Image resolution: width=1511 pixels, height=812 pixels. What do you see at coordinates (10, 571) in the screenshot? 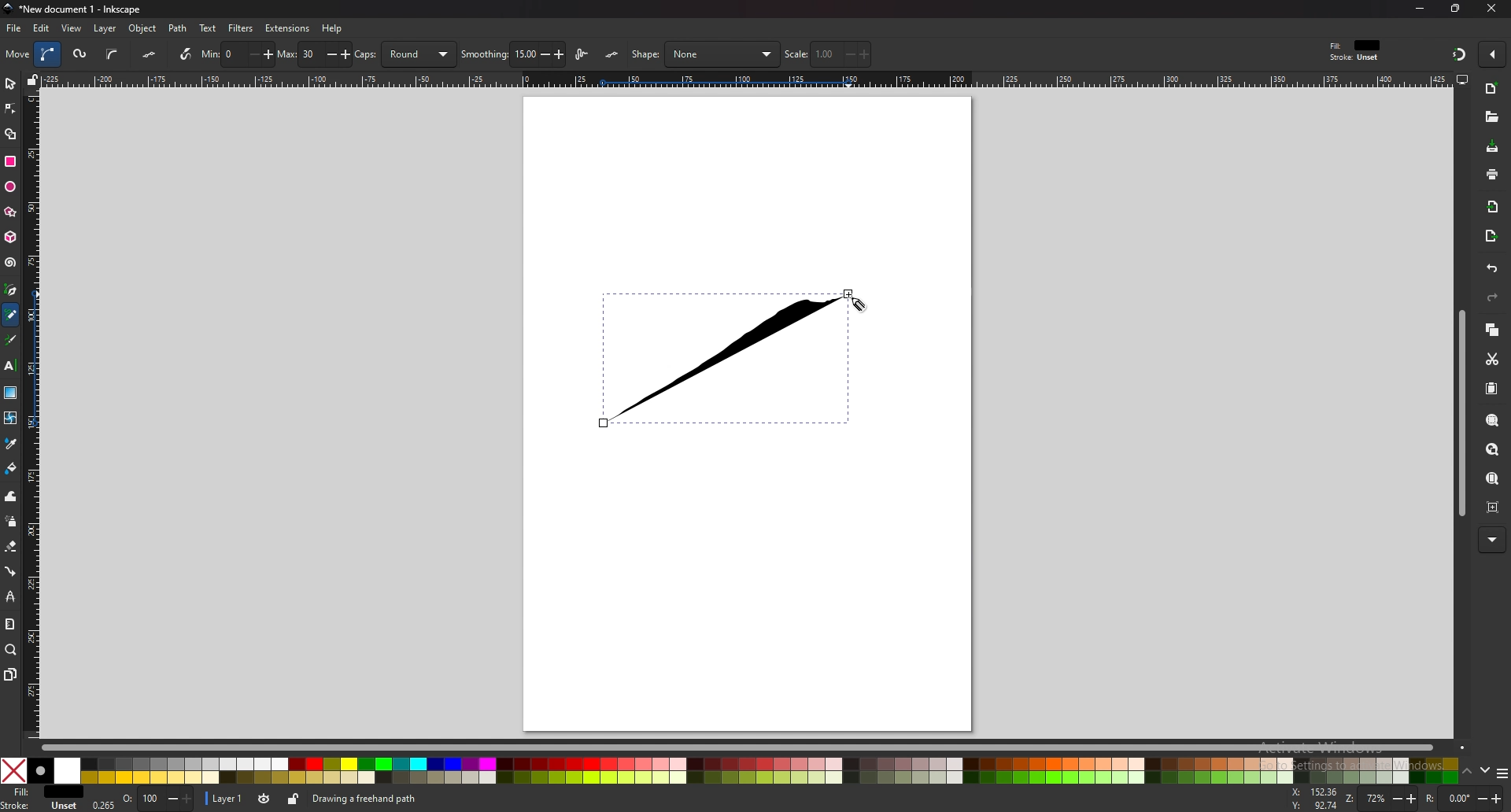
I see `connector` at bounding box center [10, 571].